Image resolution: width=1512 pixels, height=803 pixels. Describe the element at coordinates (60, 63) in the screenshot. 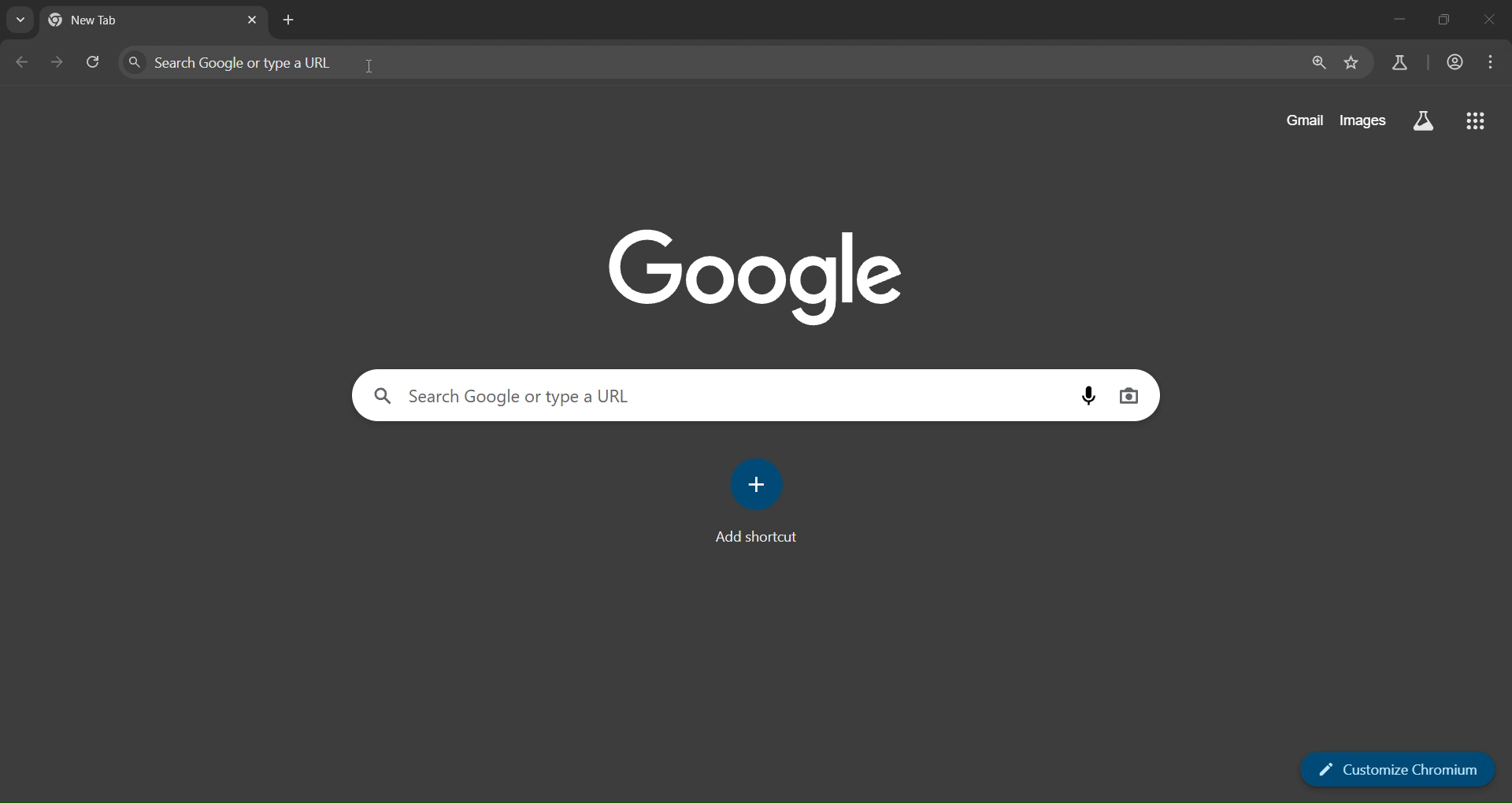

I see `go forward one page` at that location.